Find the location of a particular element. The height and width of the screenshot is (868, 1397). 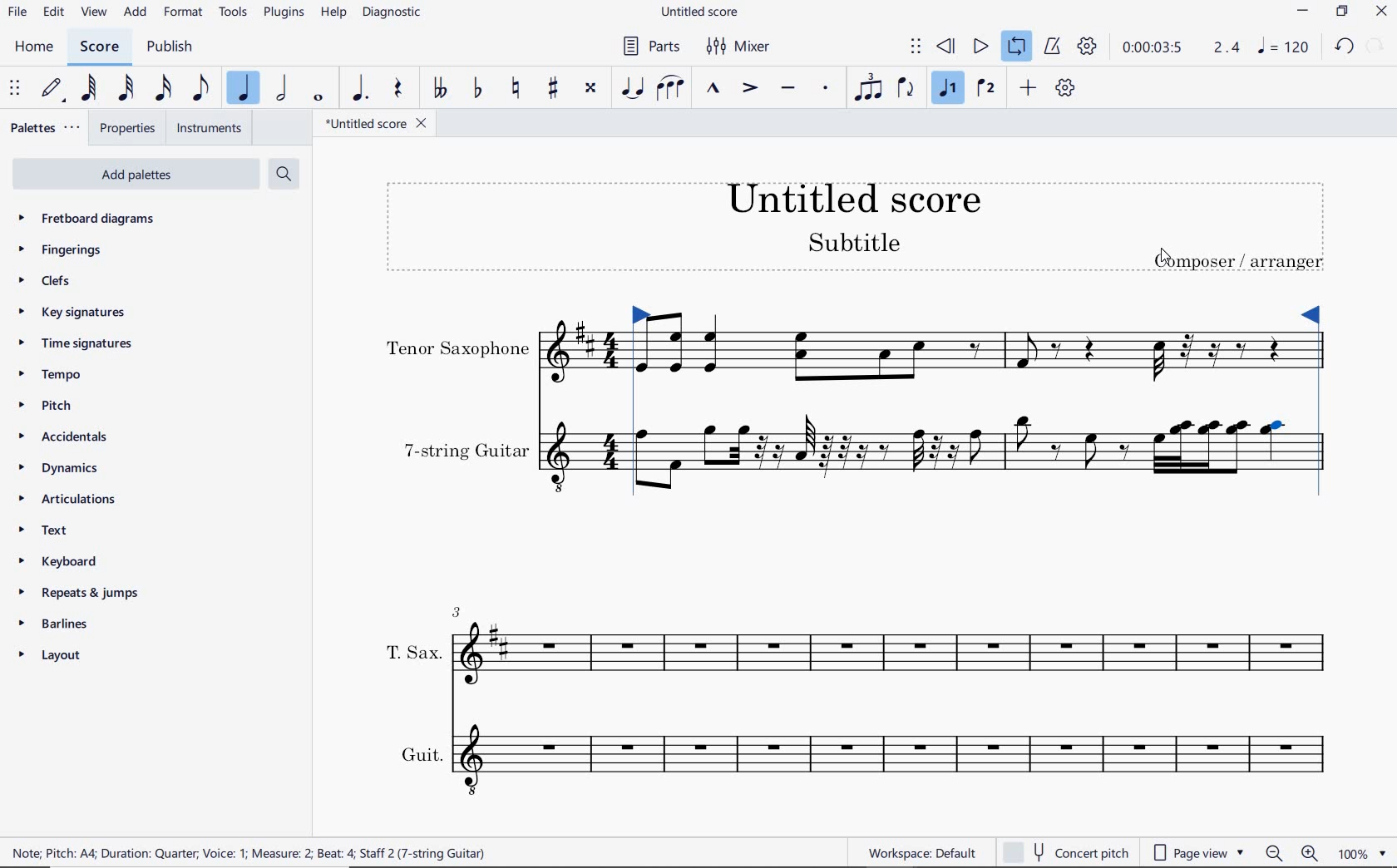

MARCATO is located at coordinates (713, 89).